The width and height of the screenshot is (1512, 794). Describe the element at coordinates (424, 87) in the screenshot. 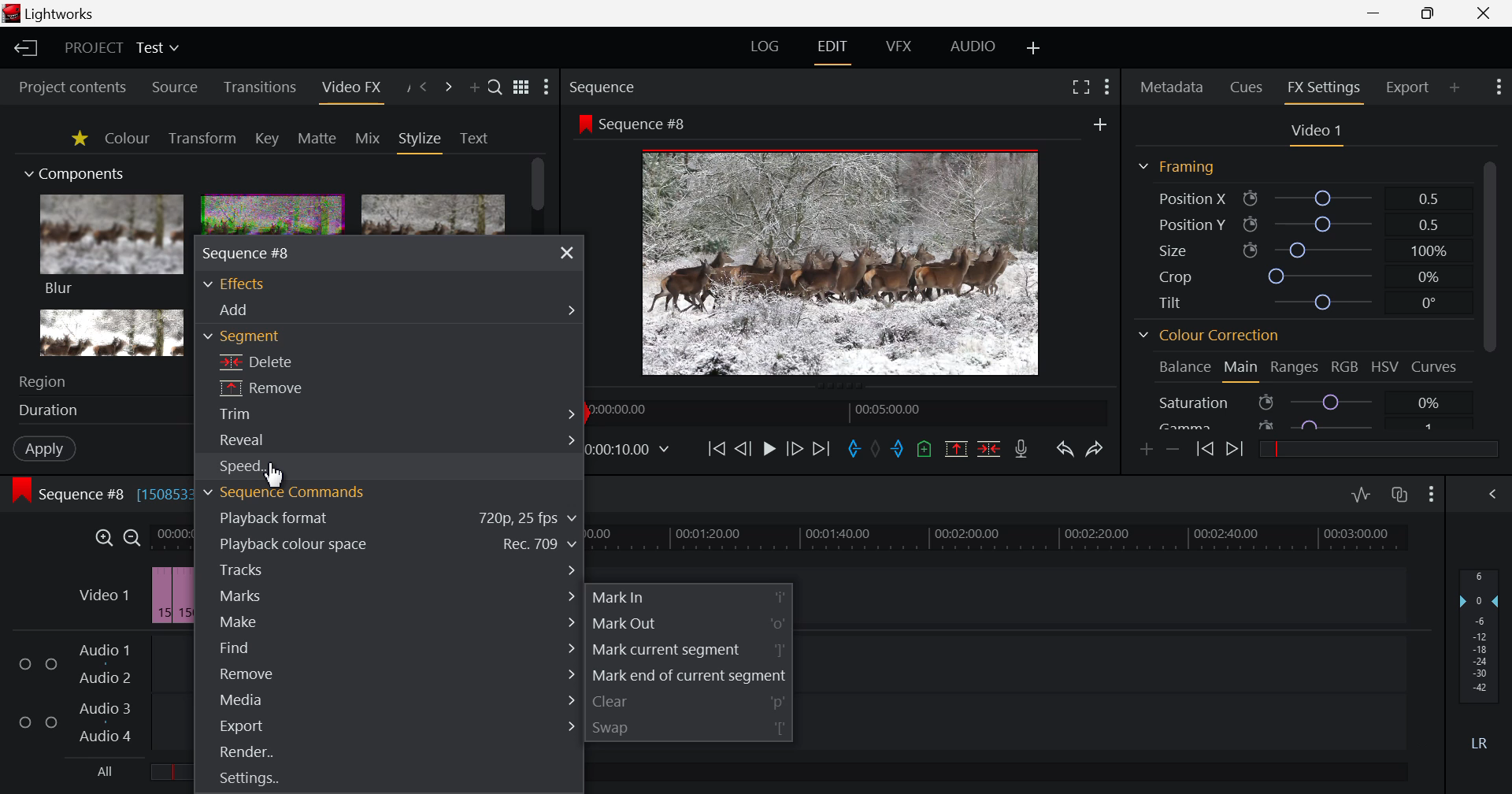

I see `Previous Panel` at that location.